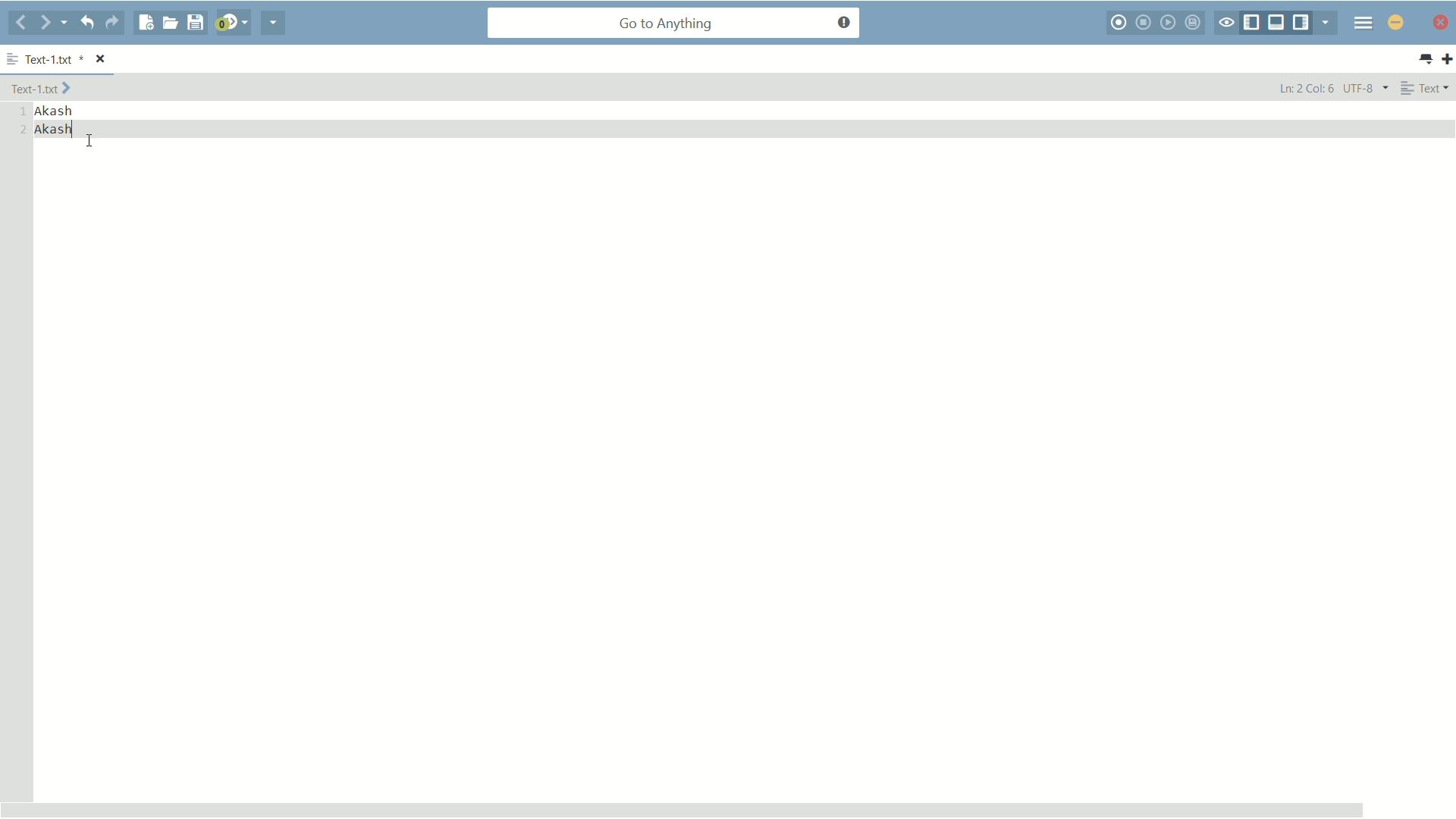 This screenshot has height=819, width=1456. I want to click on Line 1 Column 6, so click(1304, 87).